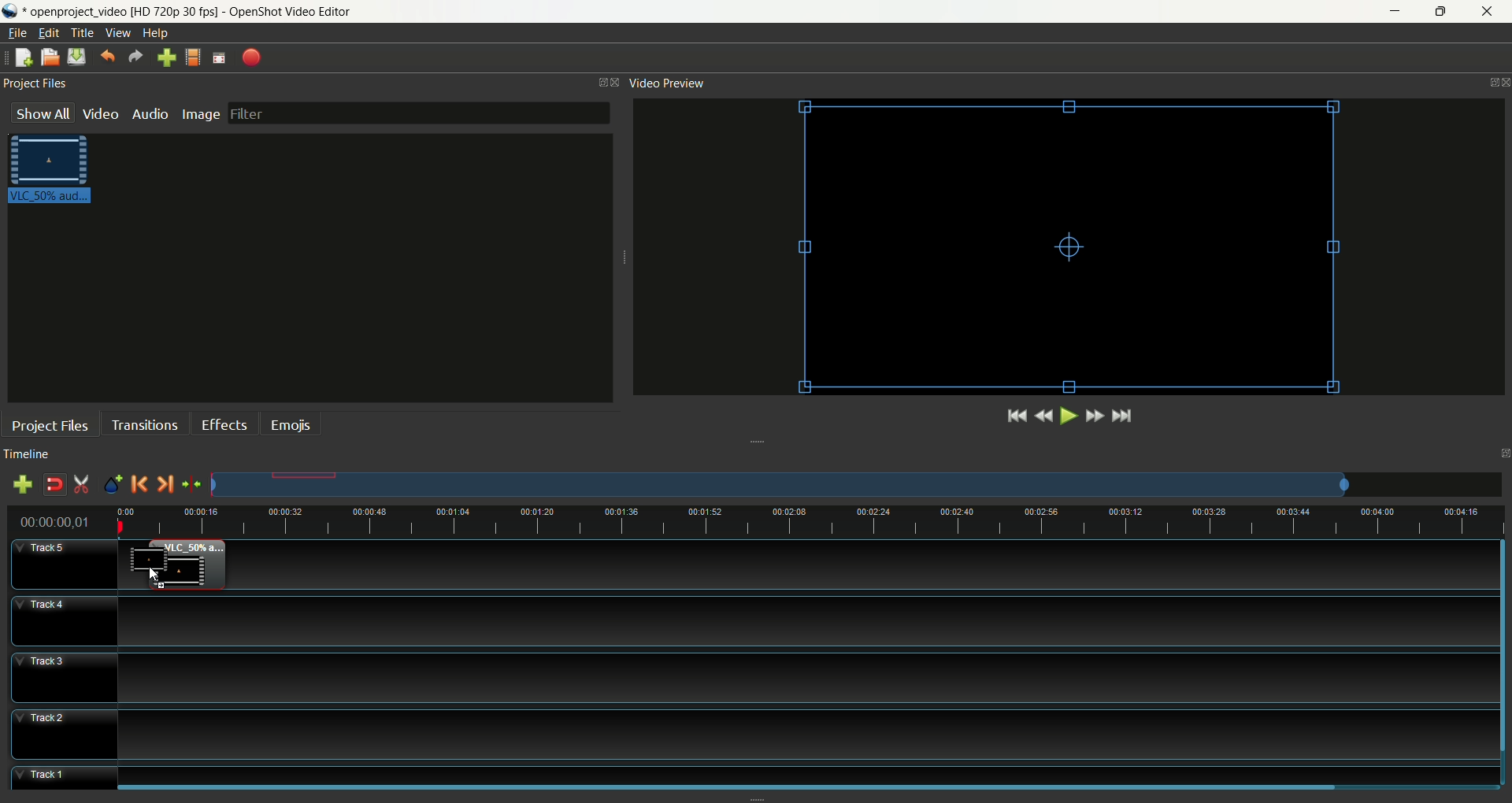 This screenshot has width=1512, height=803. Describe the element at coordinates (1489, 10) in the screenshot. I see `close` at that location.